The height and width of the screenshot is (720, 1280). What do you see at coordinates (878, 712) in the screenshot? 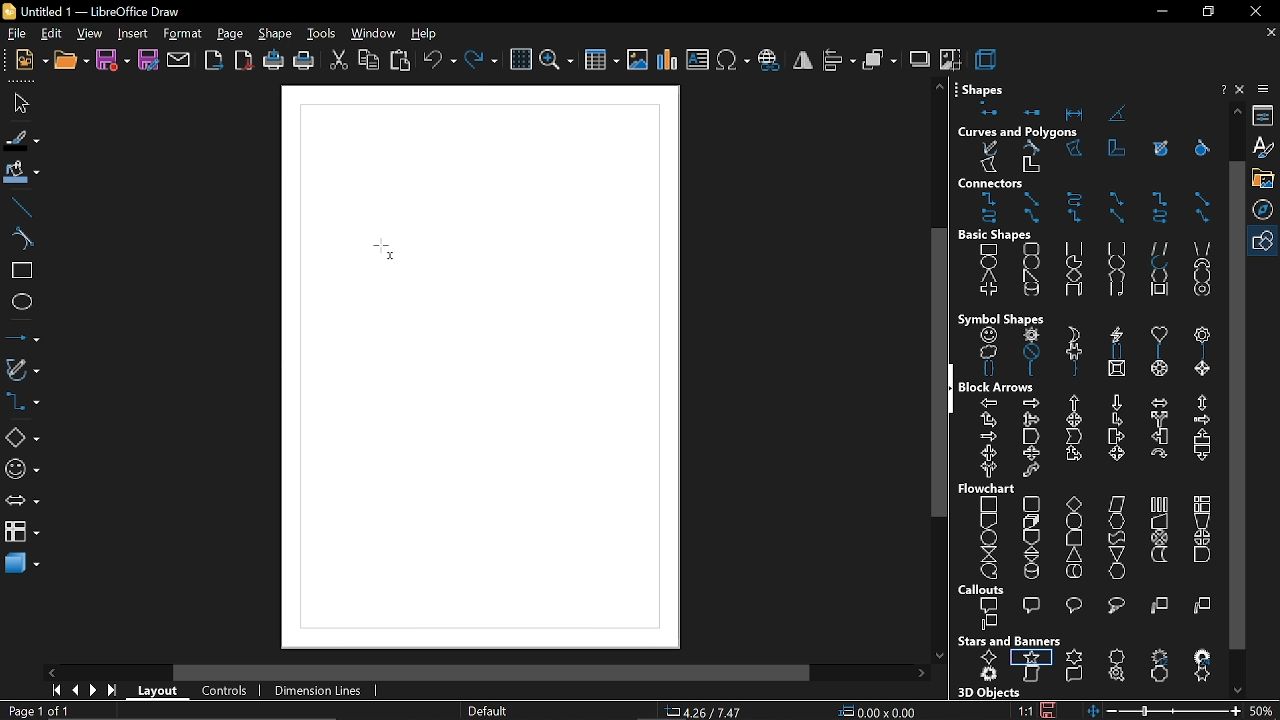
I see `position` at bounding box center [878, 712].